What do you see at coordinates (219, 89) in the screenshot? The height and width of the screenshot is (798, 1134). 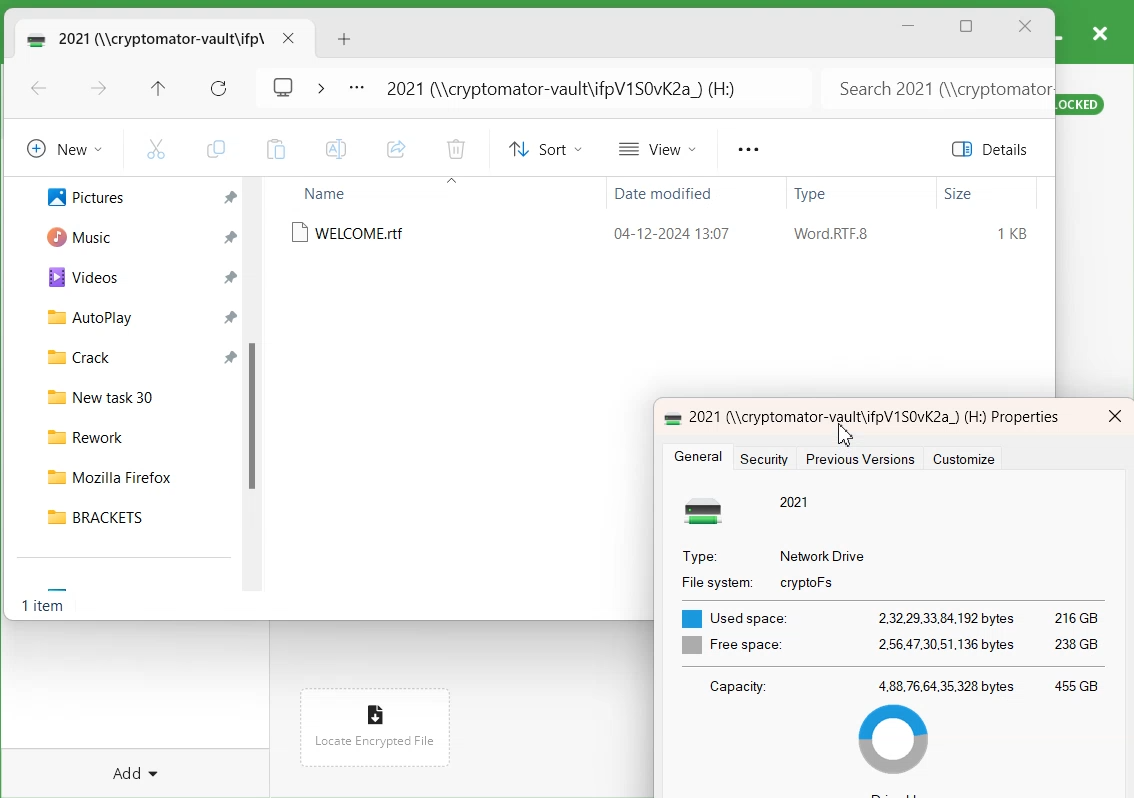 I see `Refresh` at bounding box center [219, 89].